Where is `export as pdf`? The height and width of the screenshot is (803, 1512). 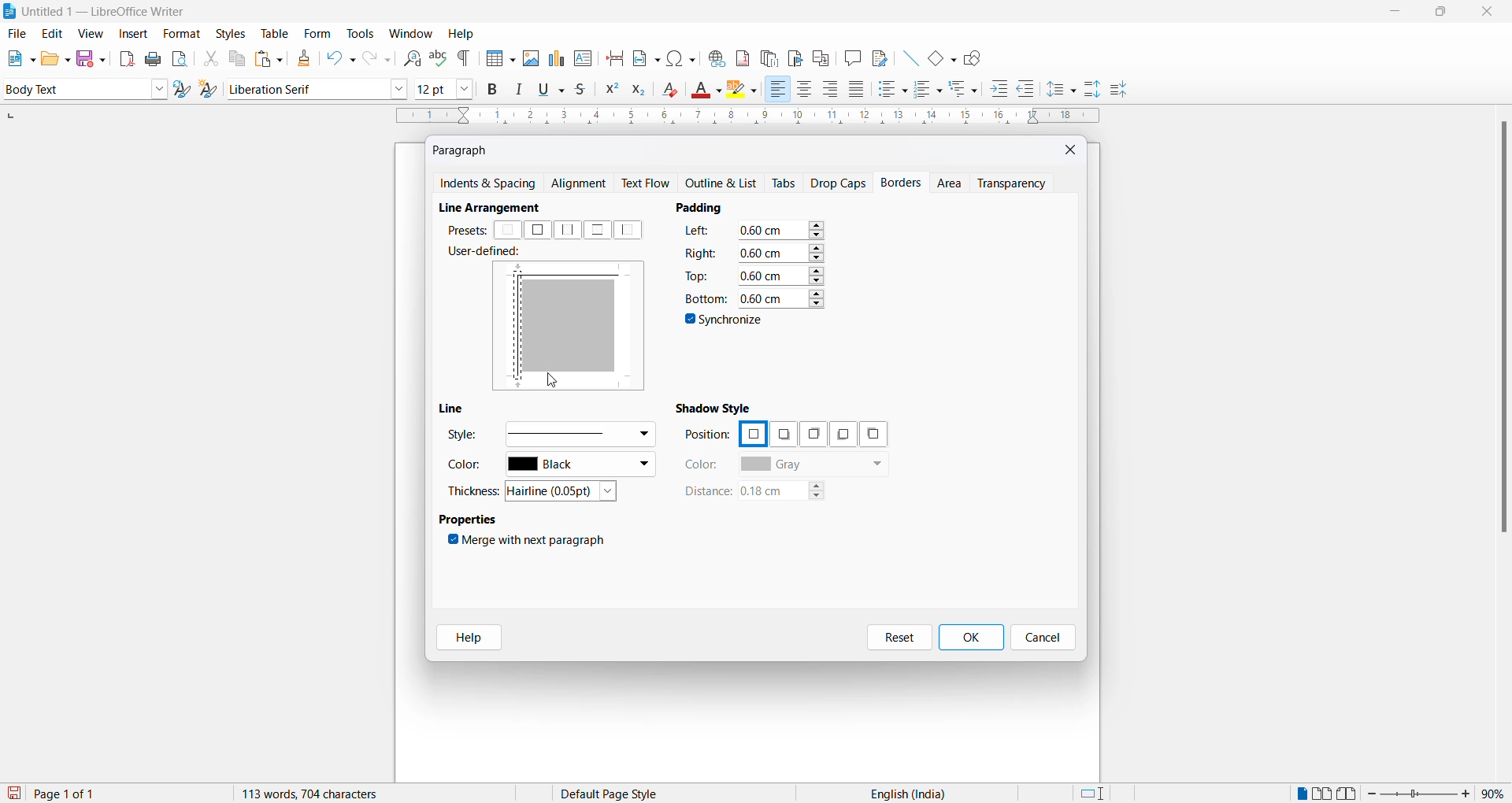
export as pdf is located at coordinates (128, 57).